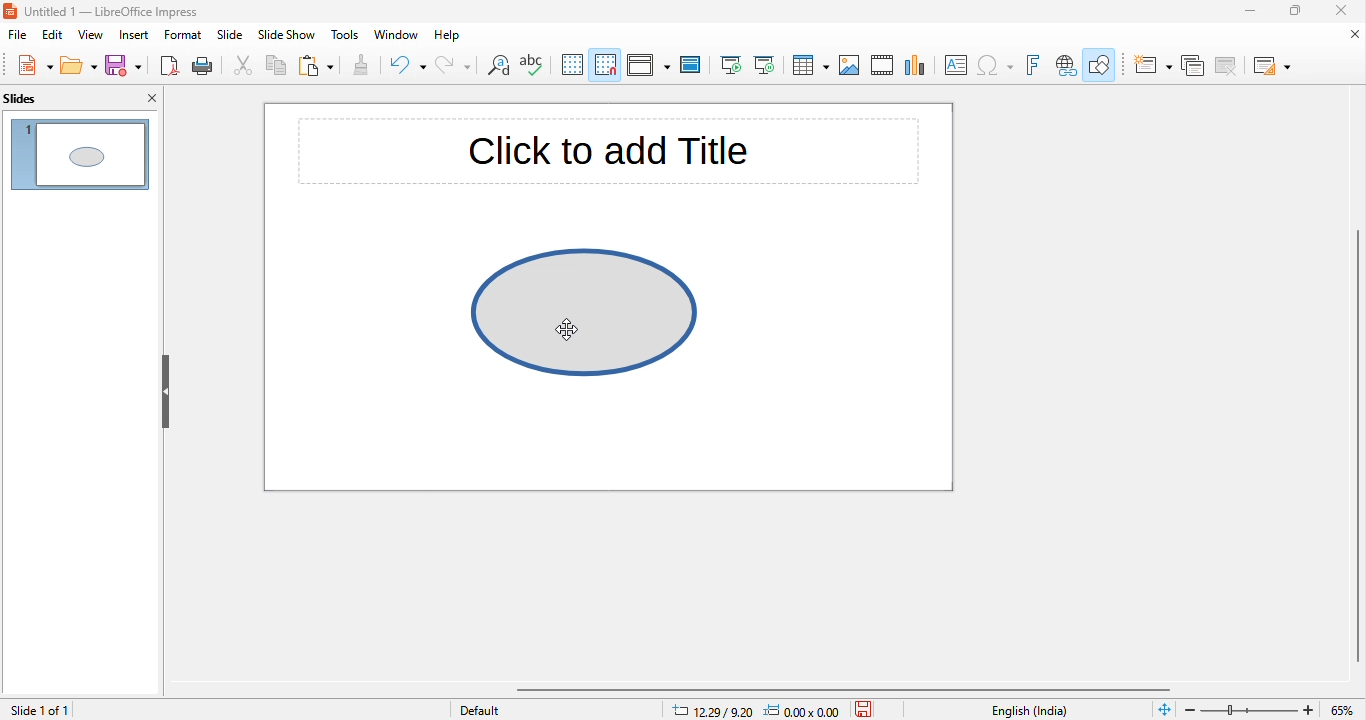  What do you see at coordinates (1355, 448) in the screenshot?
I see `vertical scroll bar` at bounding box center [1355, 448].